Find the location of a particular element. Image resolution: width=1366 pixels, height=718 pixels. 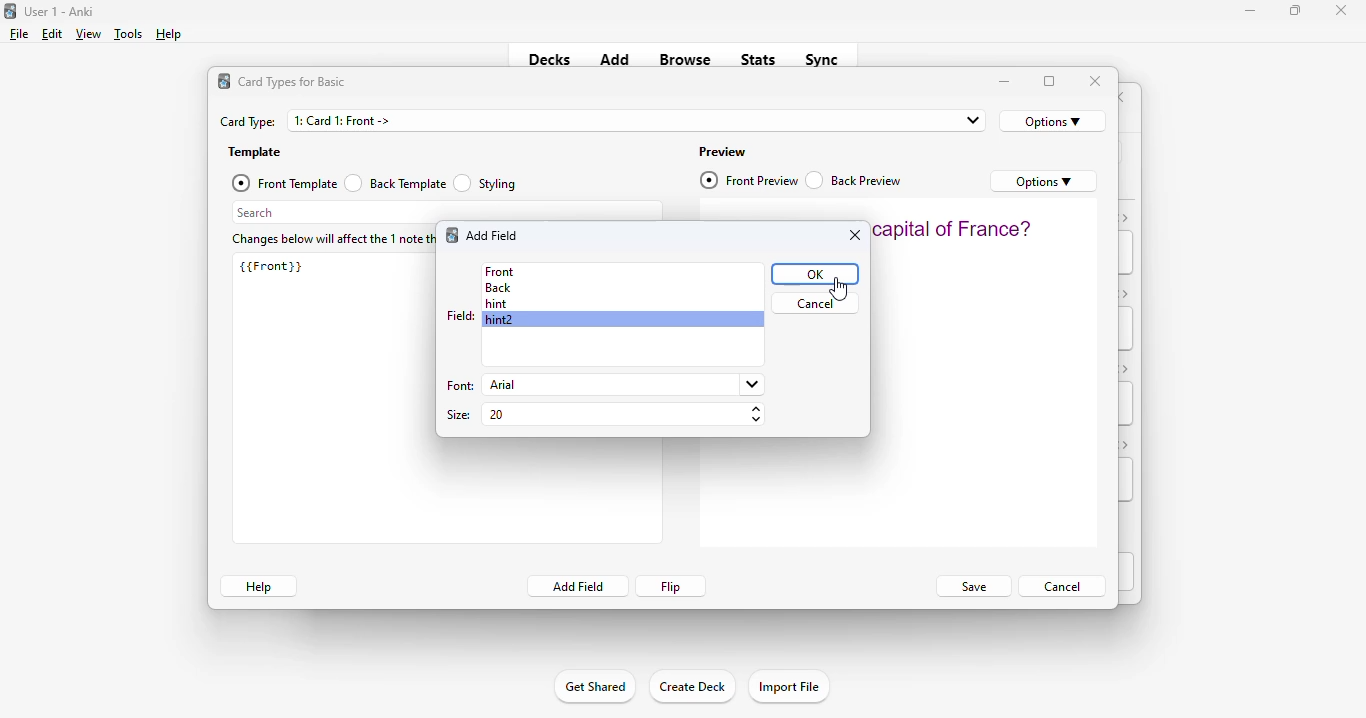

view is located at coordinates (88, 33).